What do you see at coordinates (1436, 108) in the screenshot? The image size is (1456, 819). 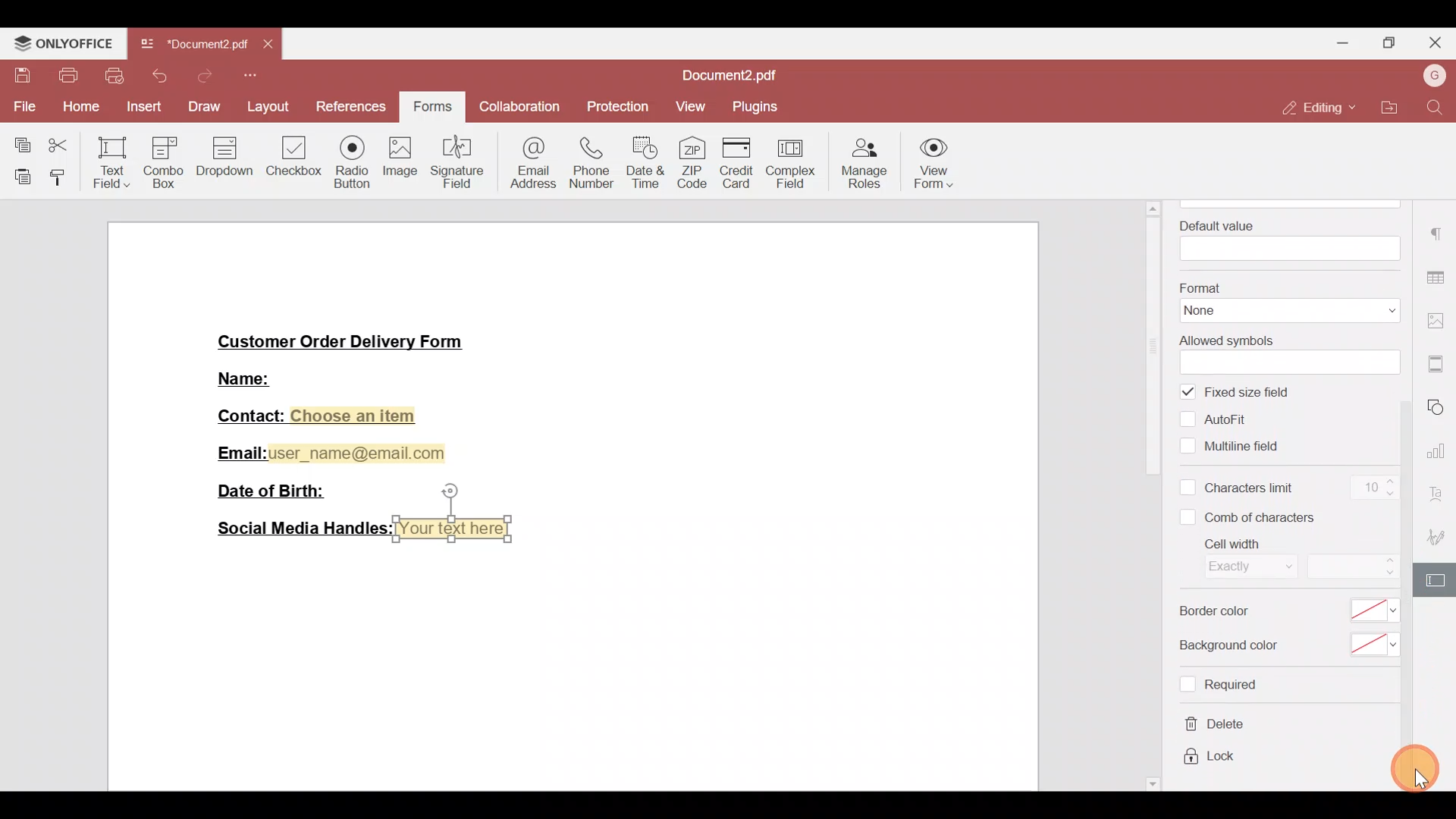 I see `Find` at bounding box center [1436, 108].